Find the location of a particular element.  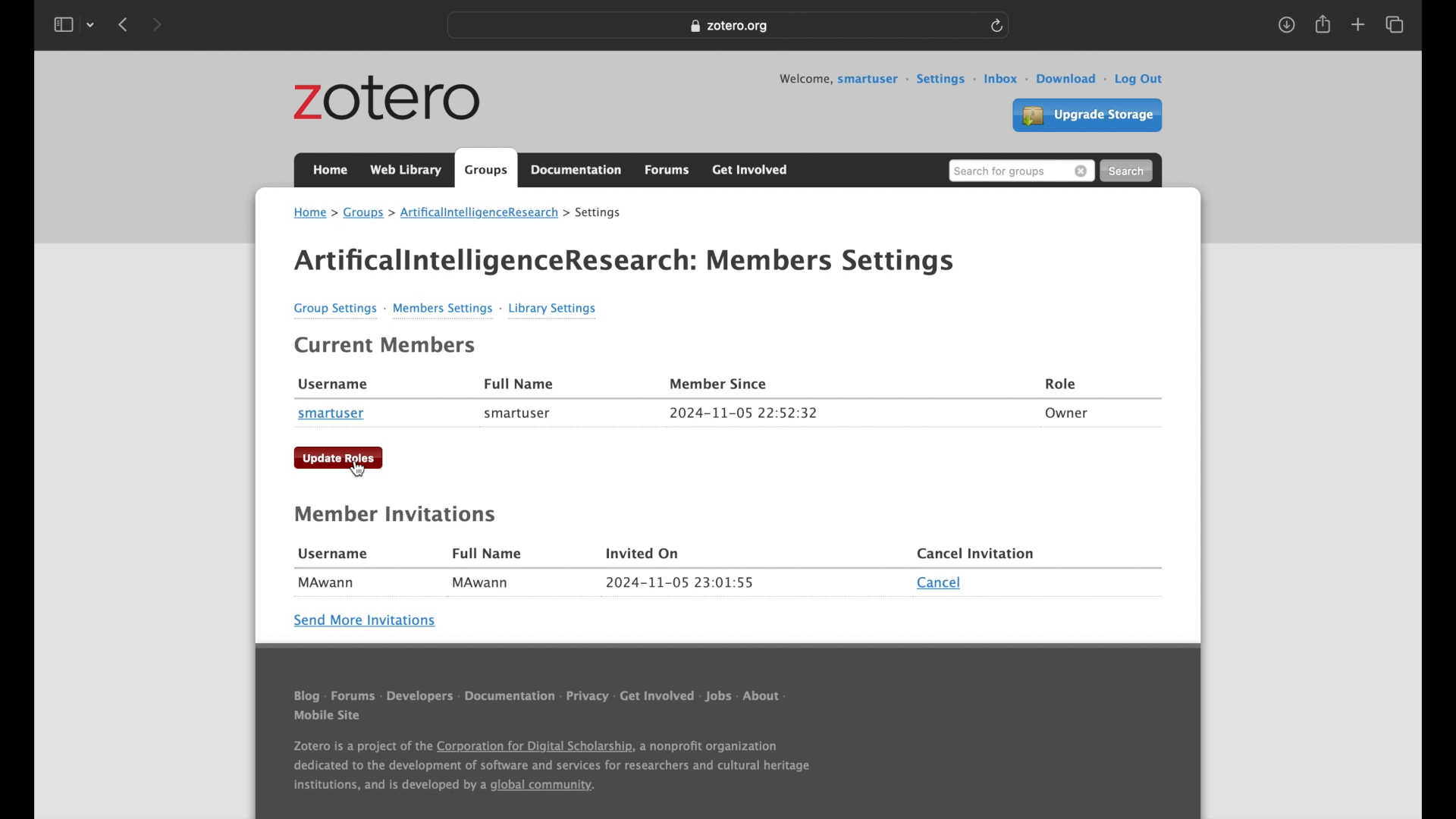

previous is located at coordinates (123, 26).